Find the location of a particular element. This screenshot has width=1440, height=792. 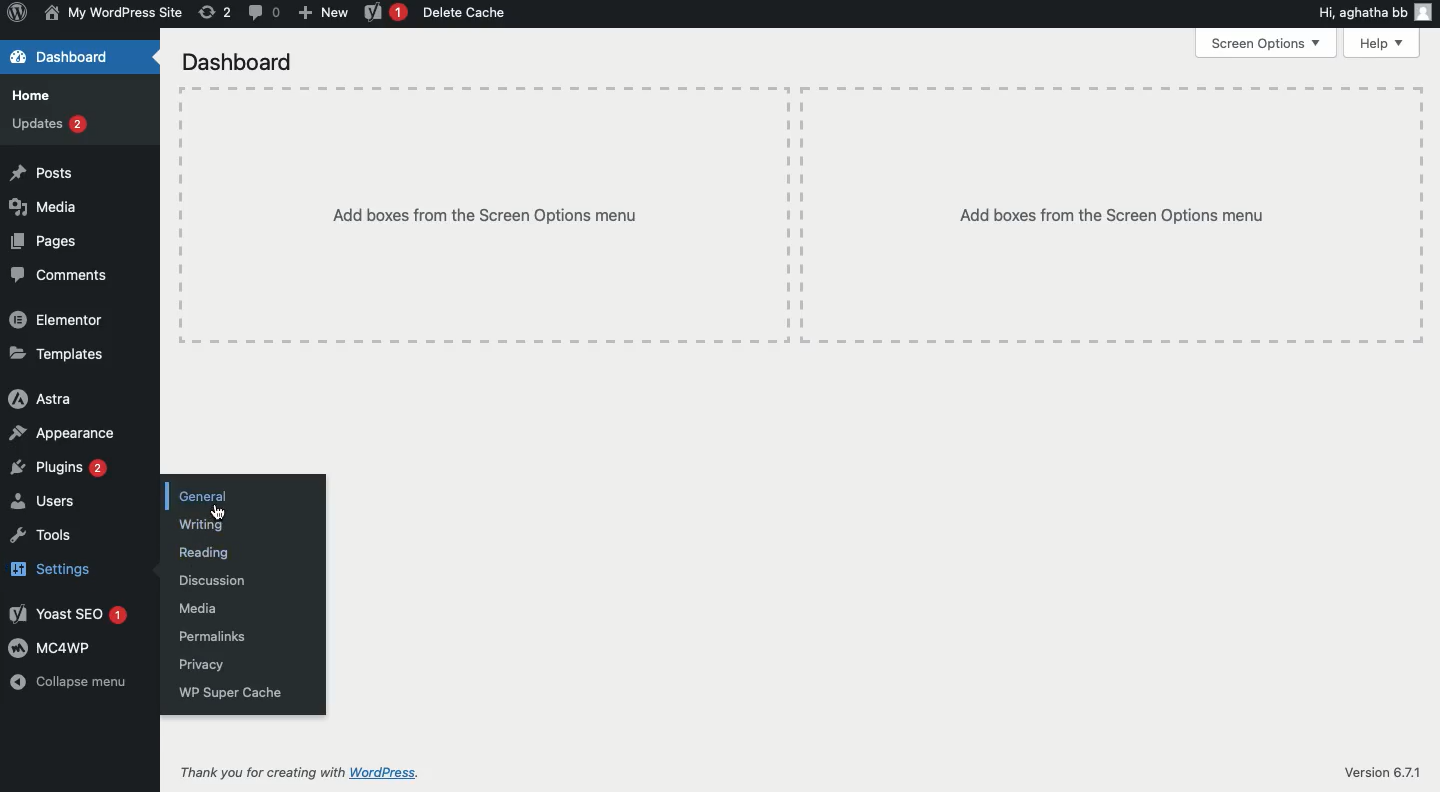

Privacy is located at coordinates (202, 664).